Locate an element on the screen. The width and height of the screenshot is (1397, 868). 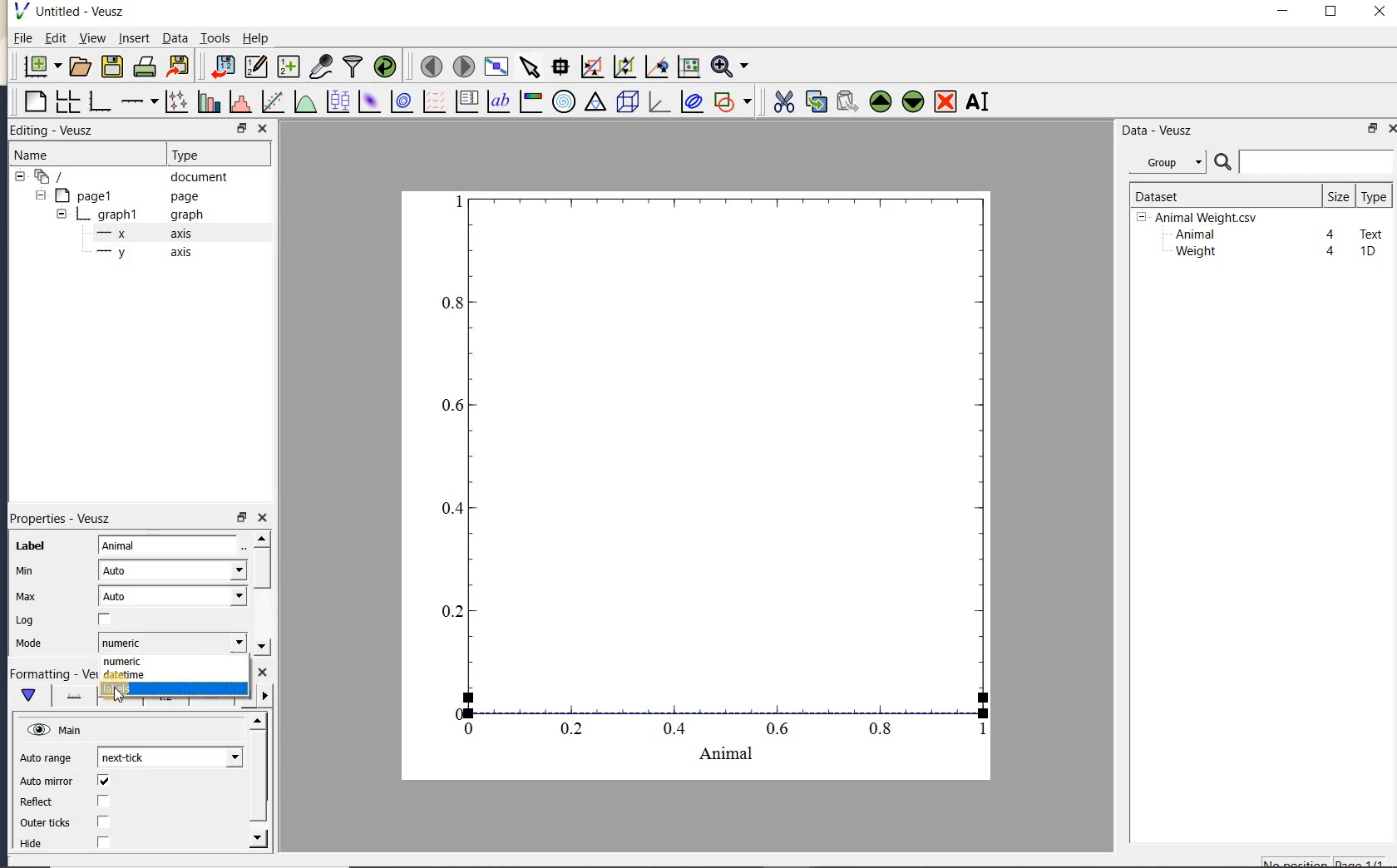
capture remote data is located at coordinates (321, 66).